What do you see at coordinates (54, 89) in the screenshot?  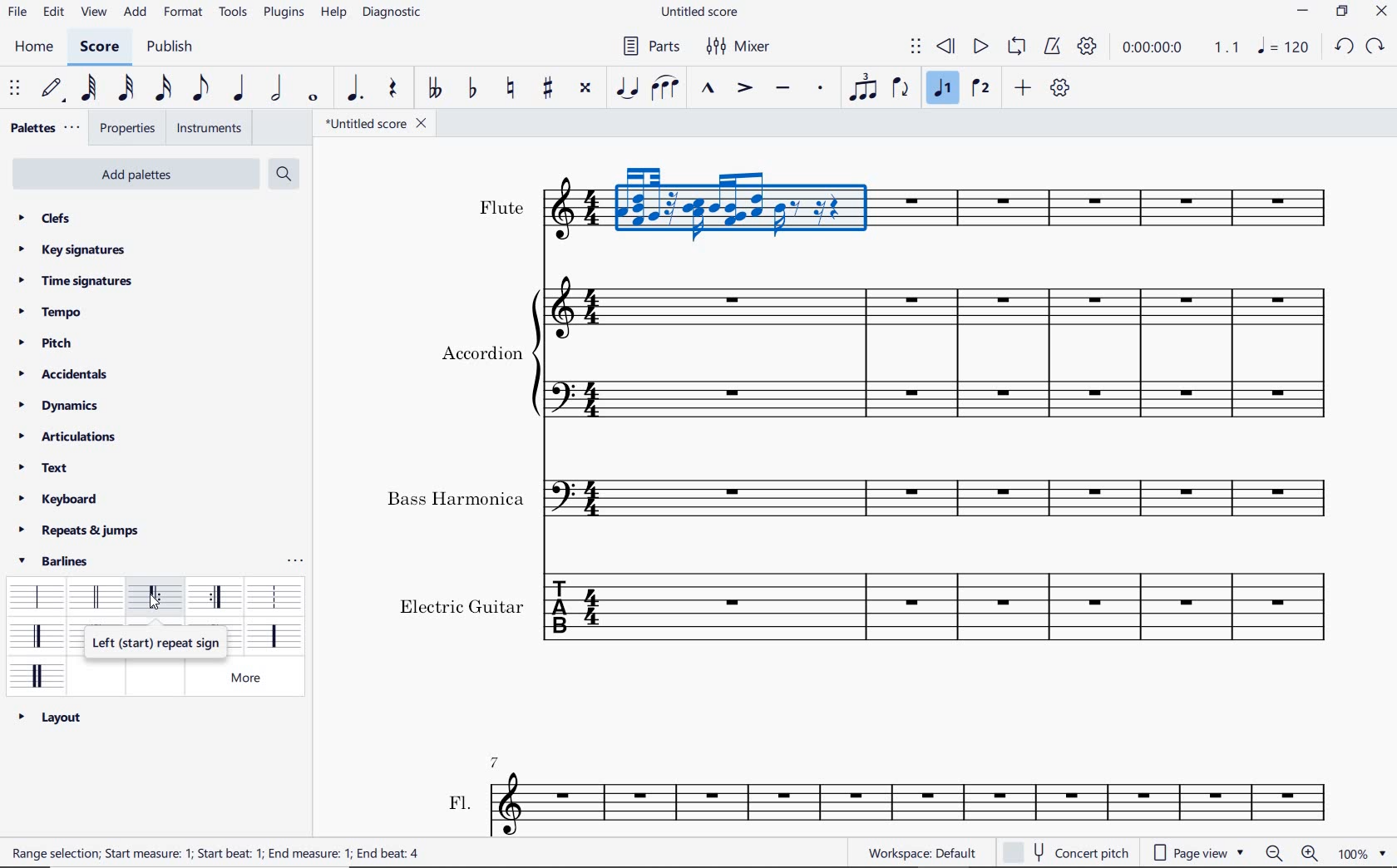 I see `default (step time)` at bounding box center [54, 89].